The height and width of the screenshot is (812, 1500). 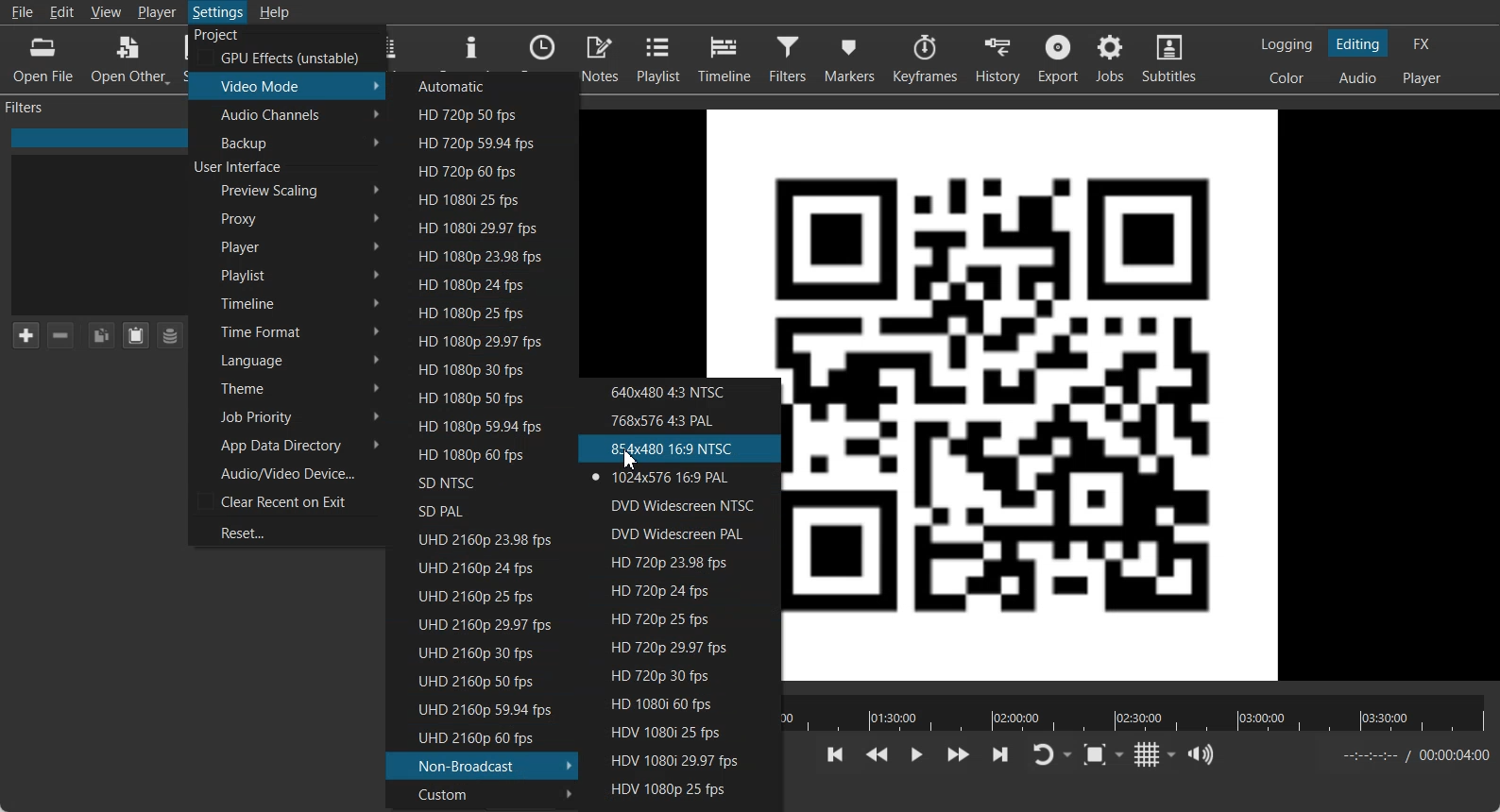 I want to click on HD 1080p 23.98 fps, so click(x=479, y=255).